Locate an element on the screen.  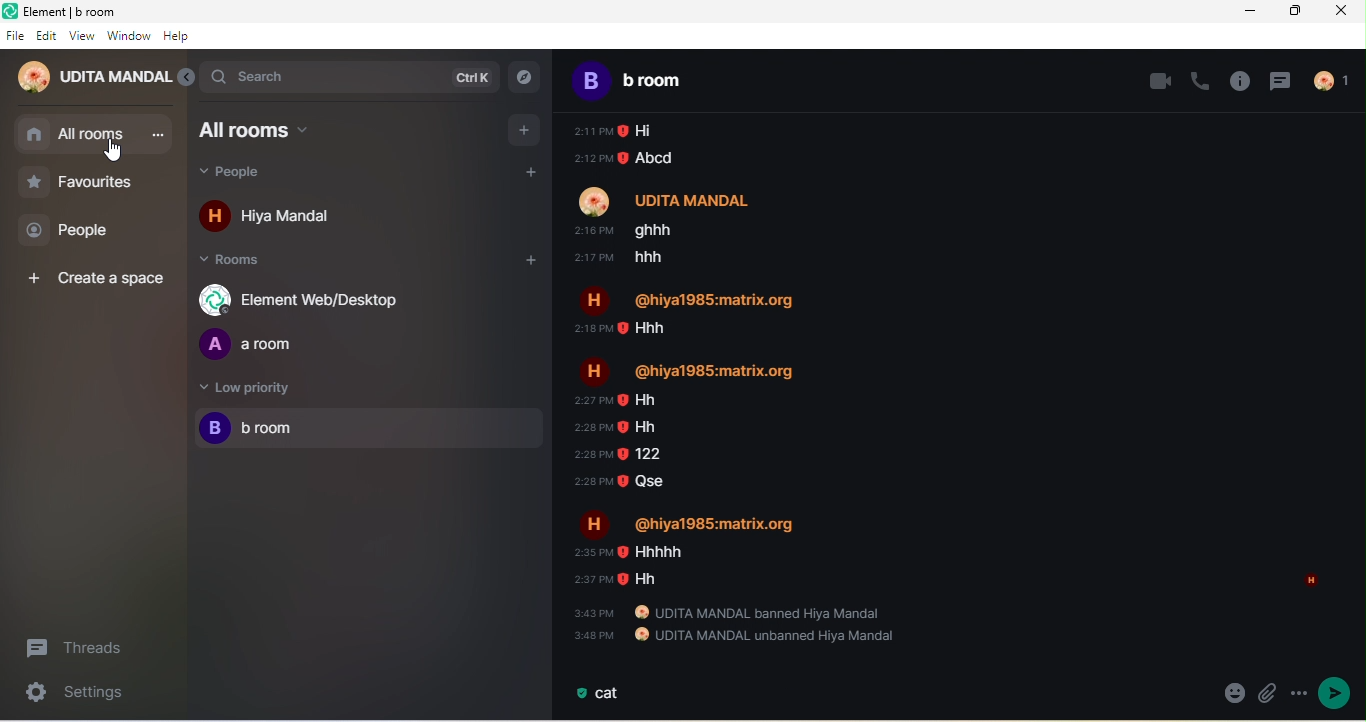
explore is located at coordinates (525, 78).